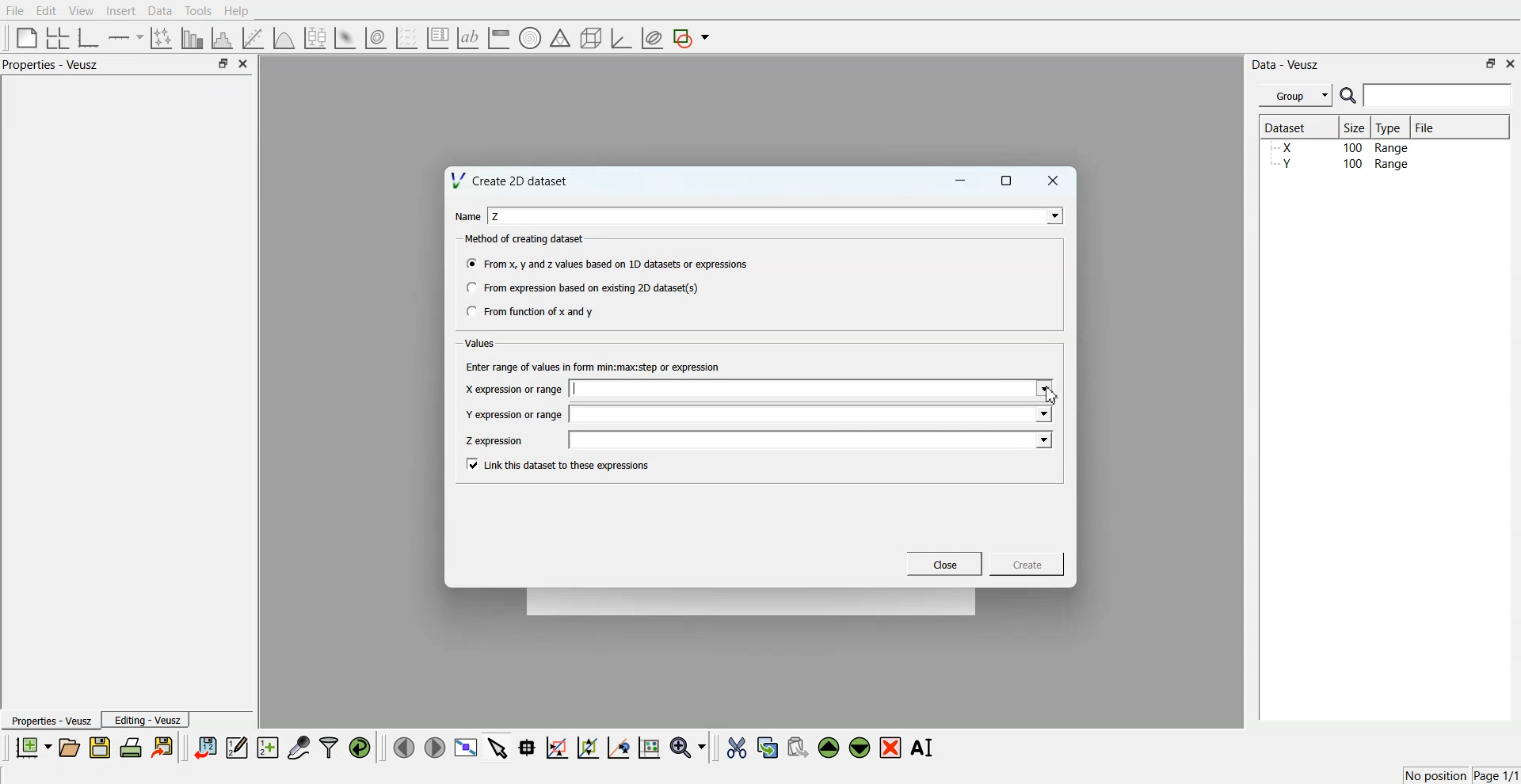  I want to click on Ternary Graph, so click(560, 37).